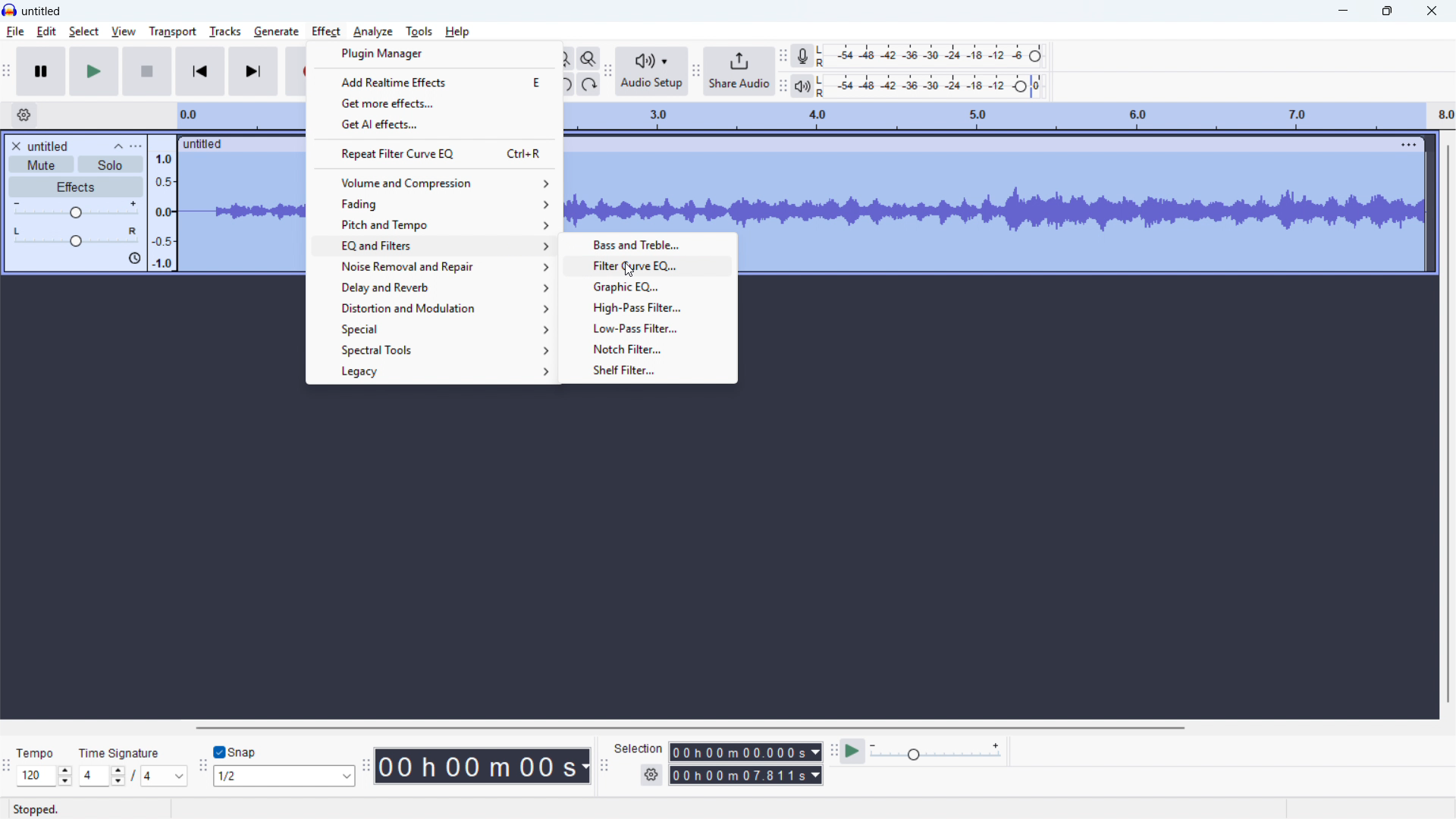 The height and width of the screenshot is (819, 1456). Describe the element at coordinates (604, 768) in the screenshot. I see `Selection toolbar ` at that location.